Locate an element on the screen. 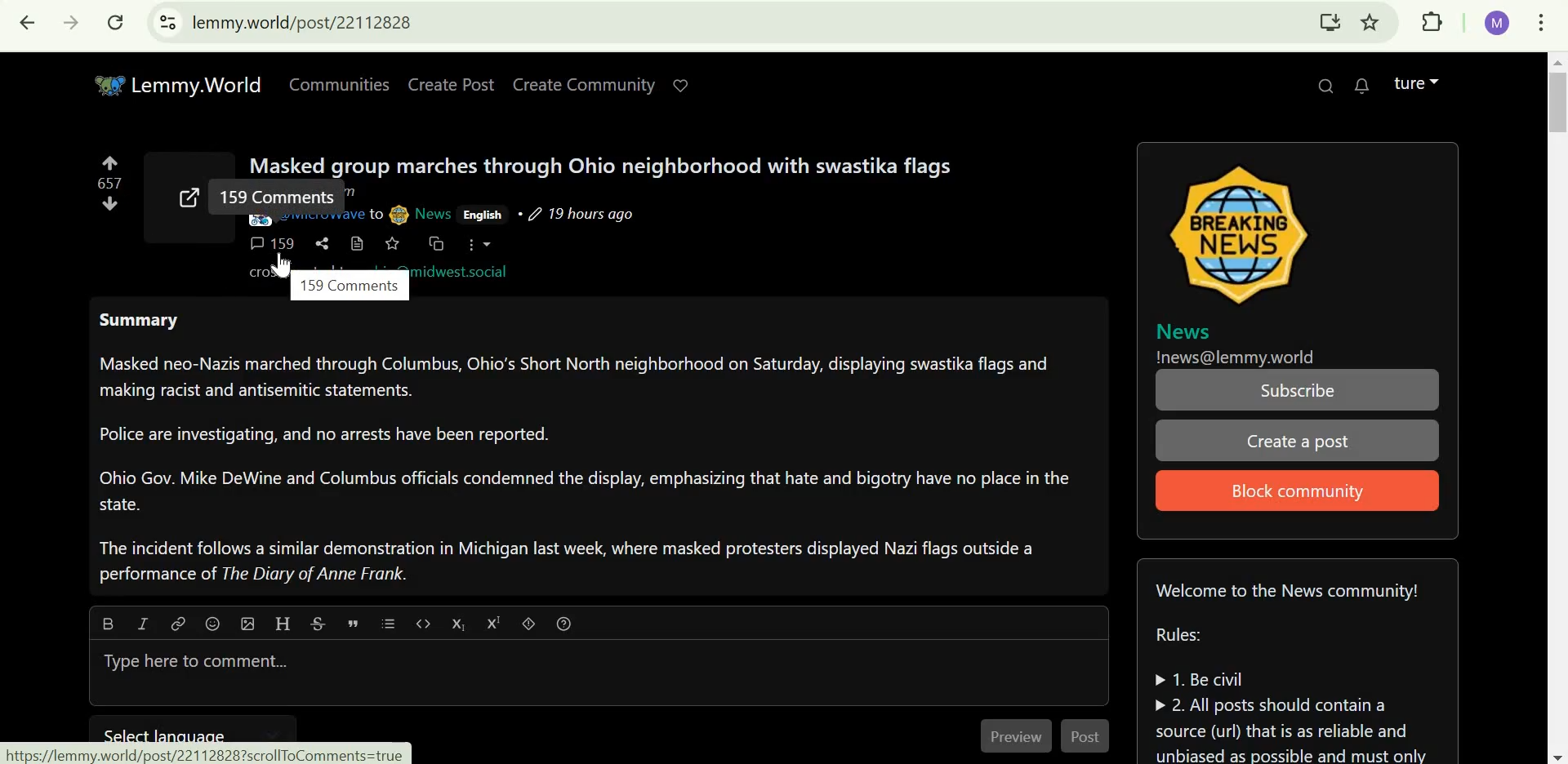  code is located at coordinates (421, 624).